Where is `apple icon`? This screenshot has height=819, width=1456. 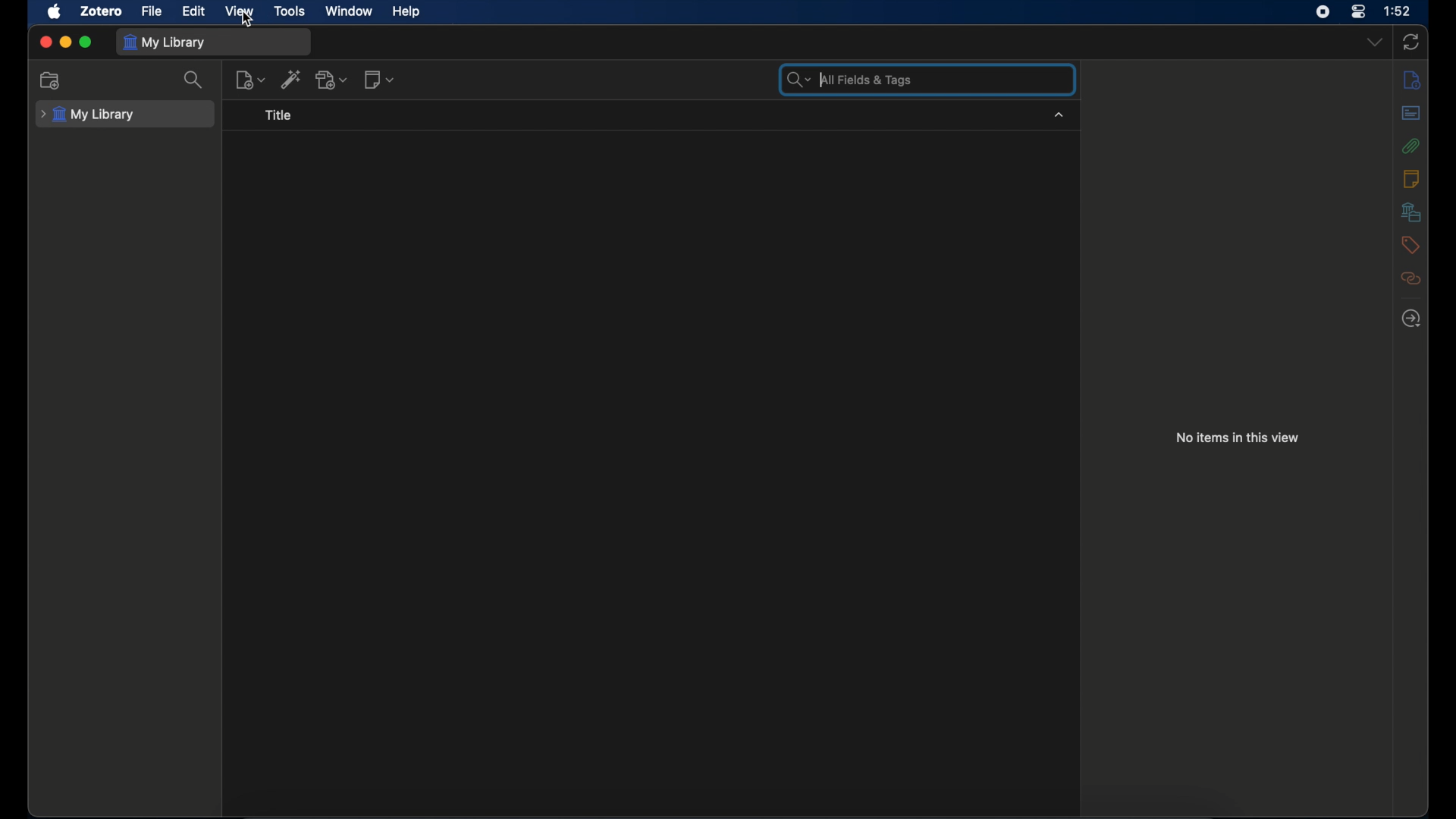
apple icon is located at coordinates (55, 12).